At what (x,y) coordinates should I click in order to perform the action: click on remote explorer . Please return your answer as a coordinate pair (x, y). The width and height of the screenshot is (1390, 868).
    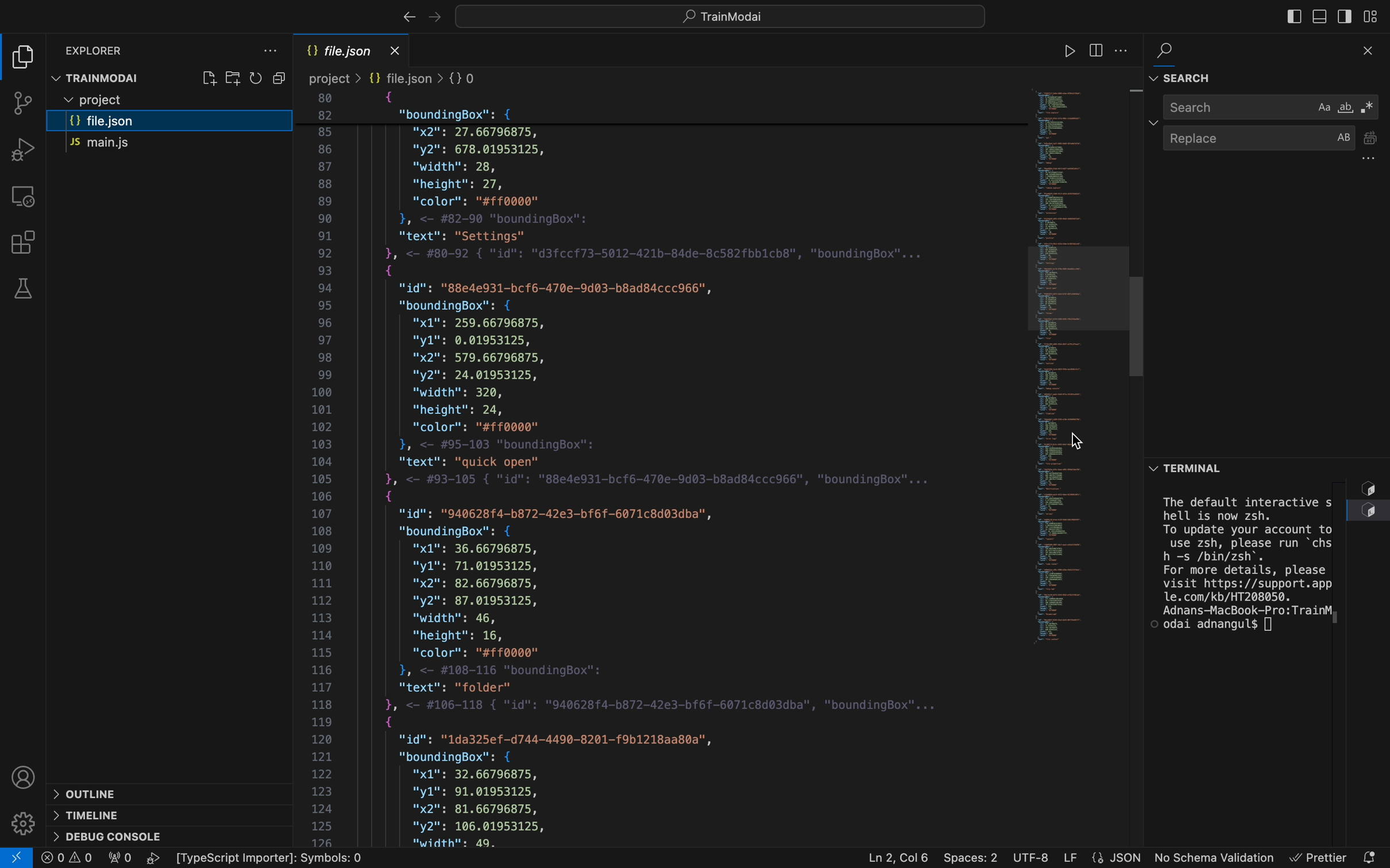
    Looking at the image, I should click on (25, 196).